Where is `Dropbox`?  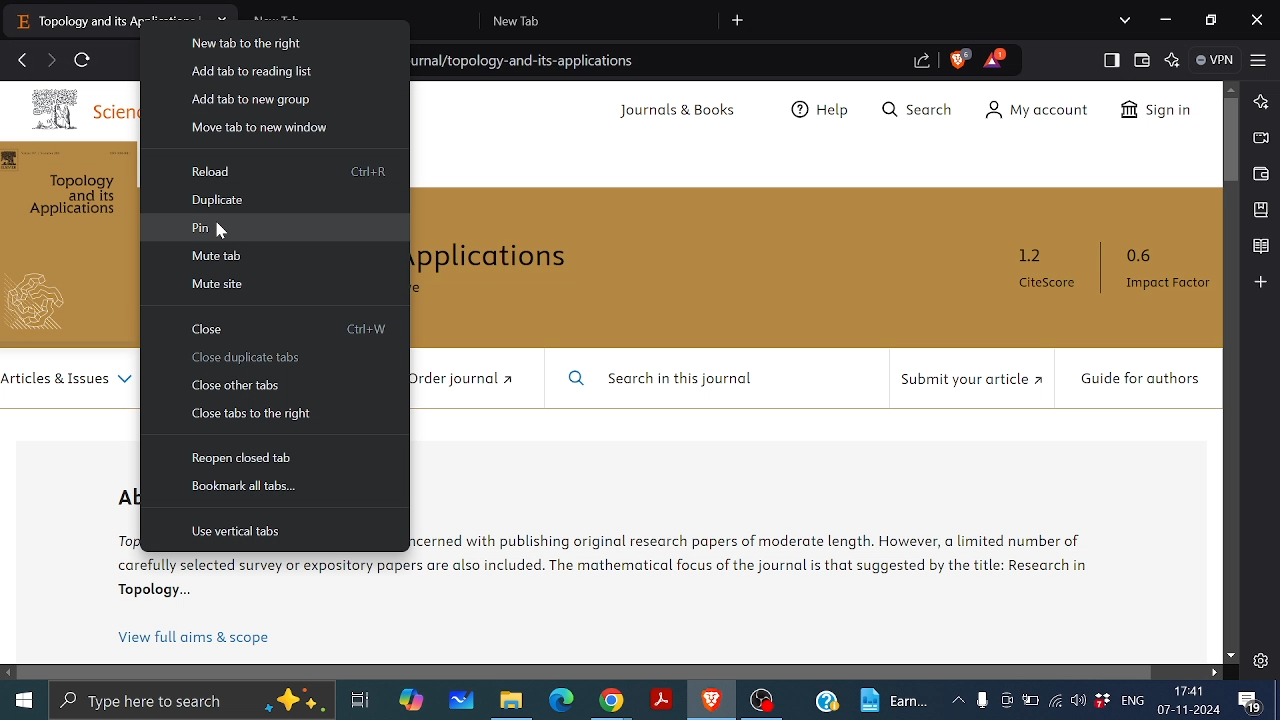
Dropbox is located at coordinates (1101, 701).